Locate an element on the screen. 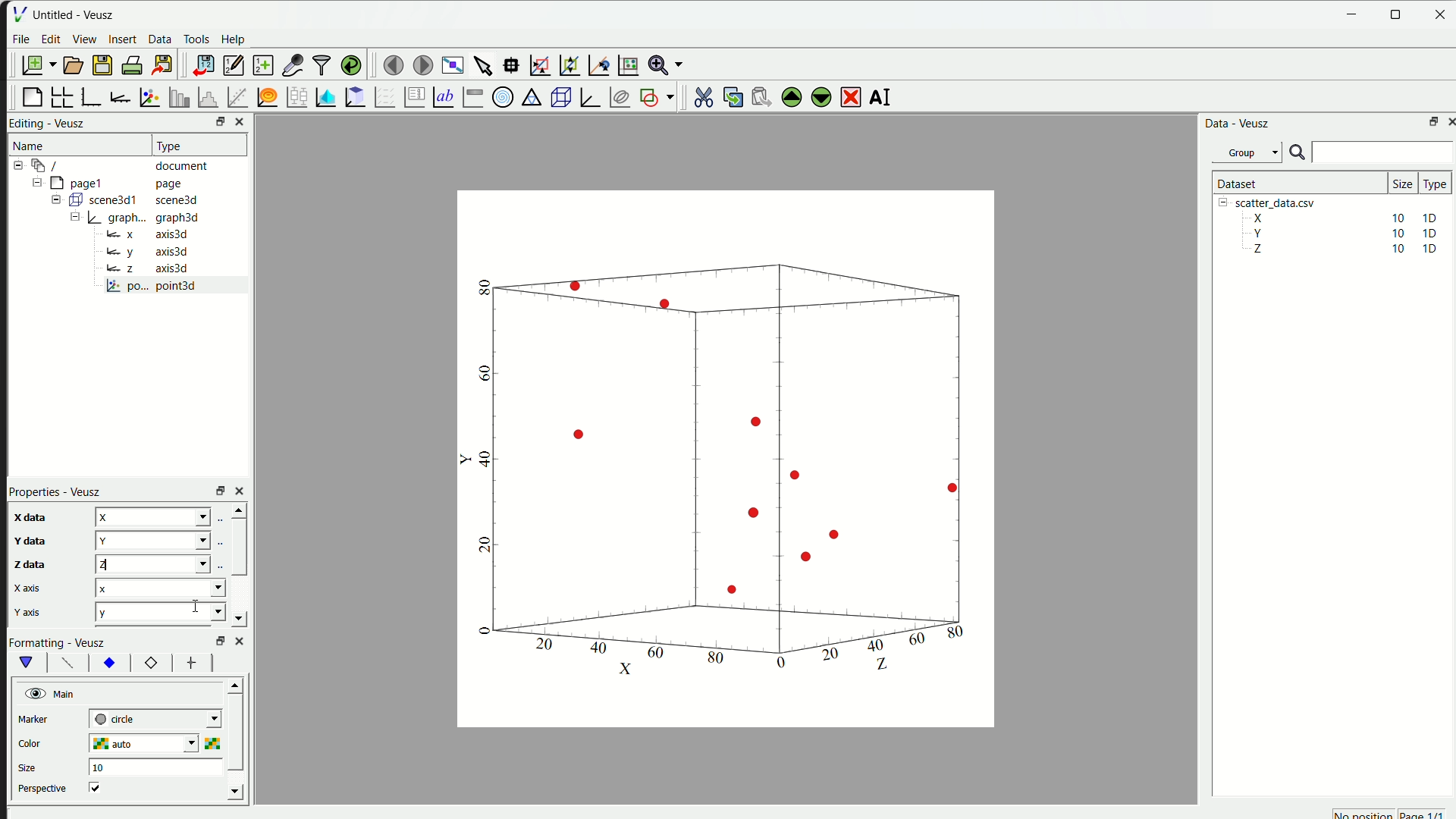 The image size is (1456, 819). Y 10 10 is located at coordinates (1339, 234).